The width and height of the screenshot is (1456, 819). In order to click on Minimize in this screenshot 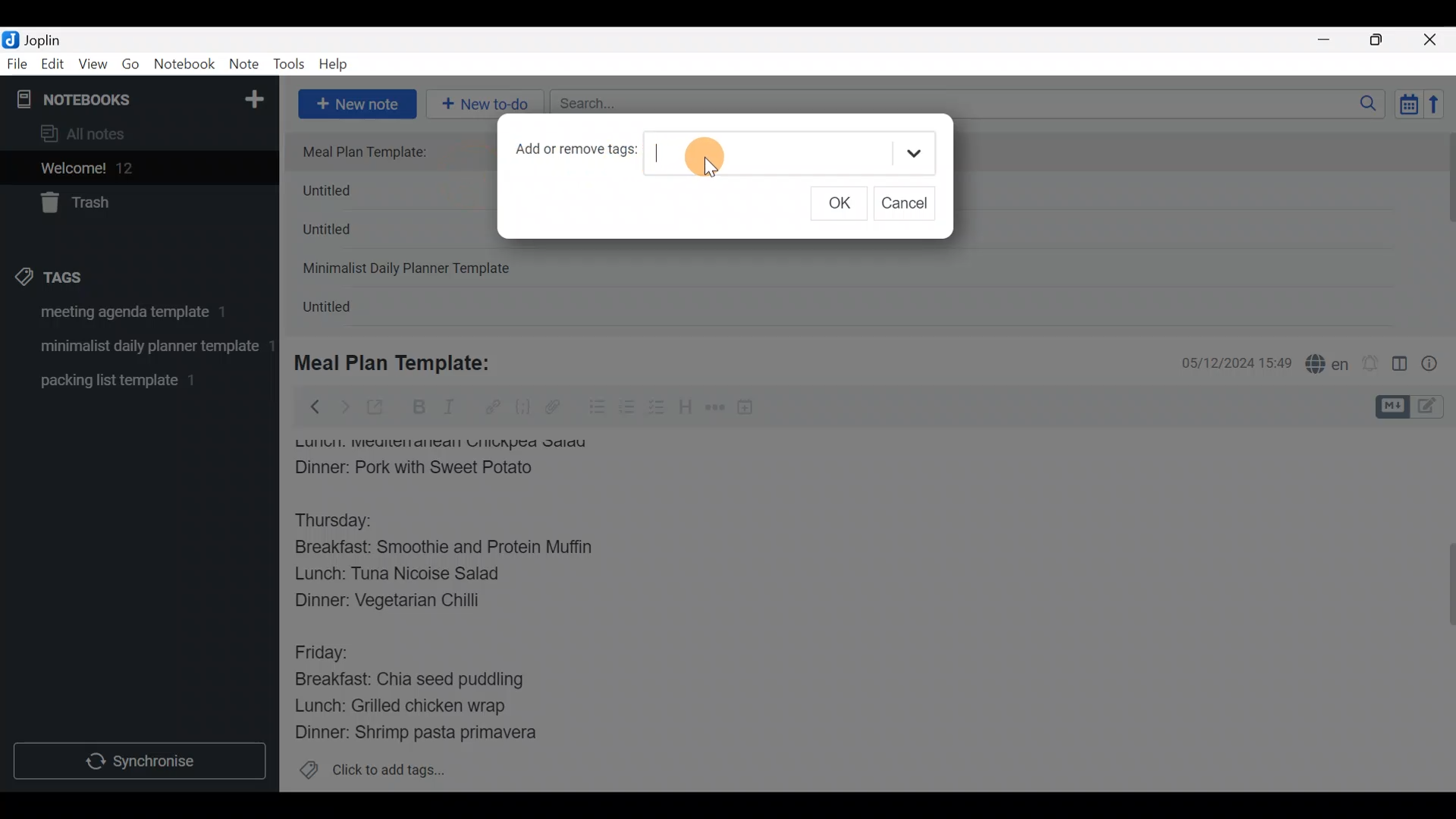, I will do `click(1332, 38)`.